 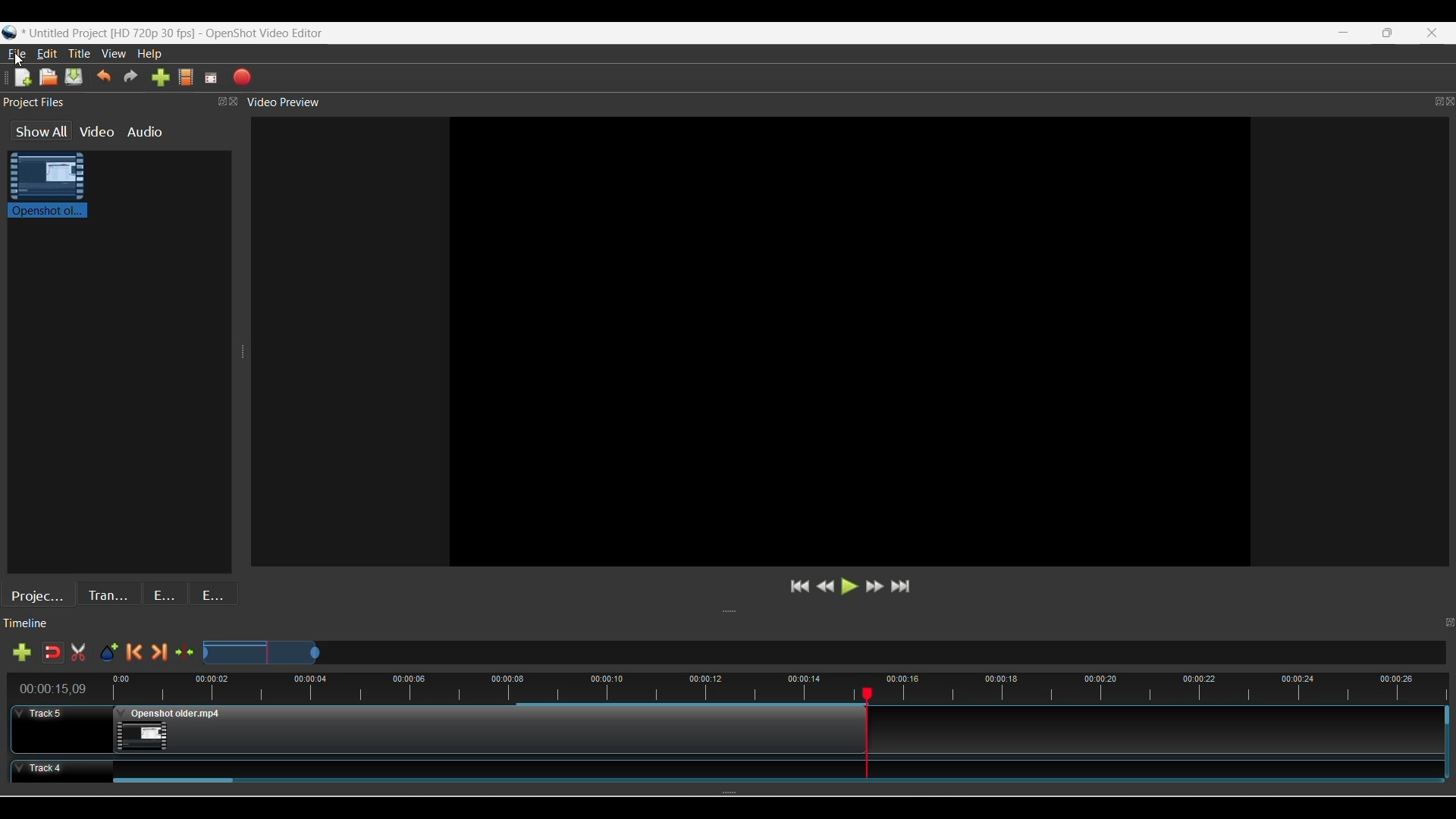 I want to click on Play, so click(x=851, y=586).